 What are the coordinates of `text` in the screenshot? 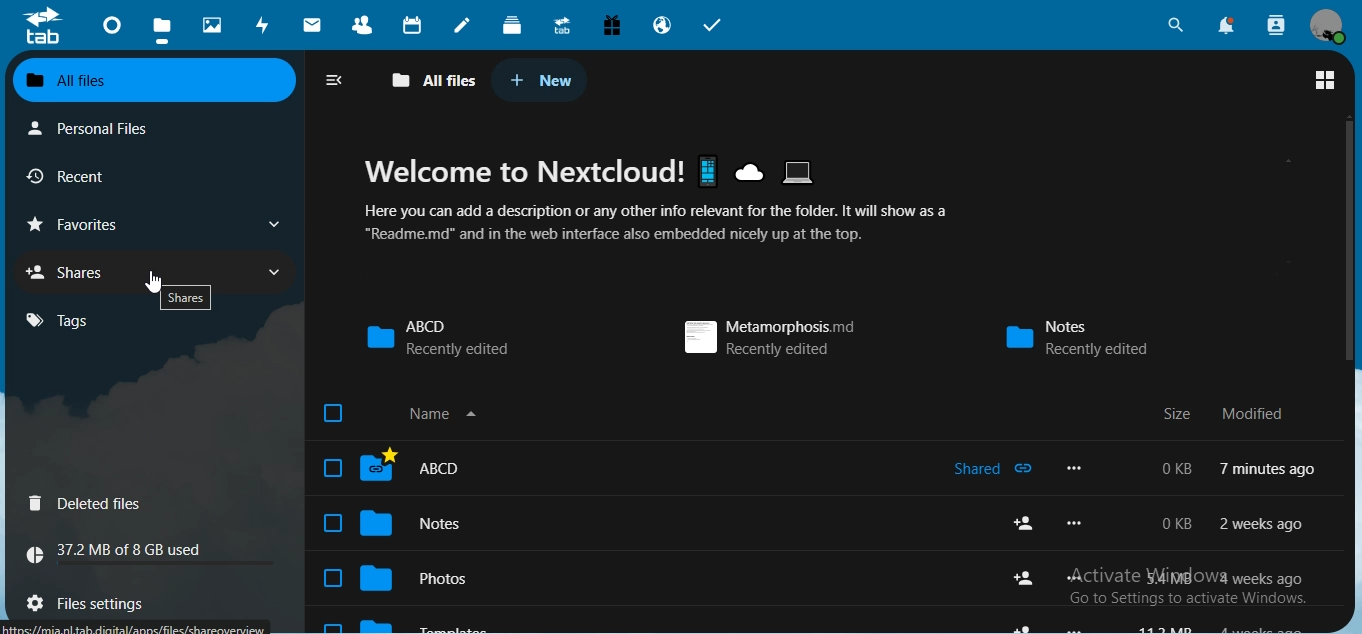 It's located at (1231, 542).